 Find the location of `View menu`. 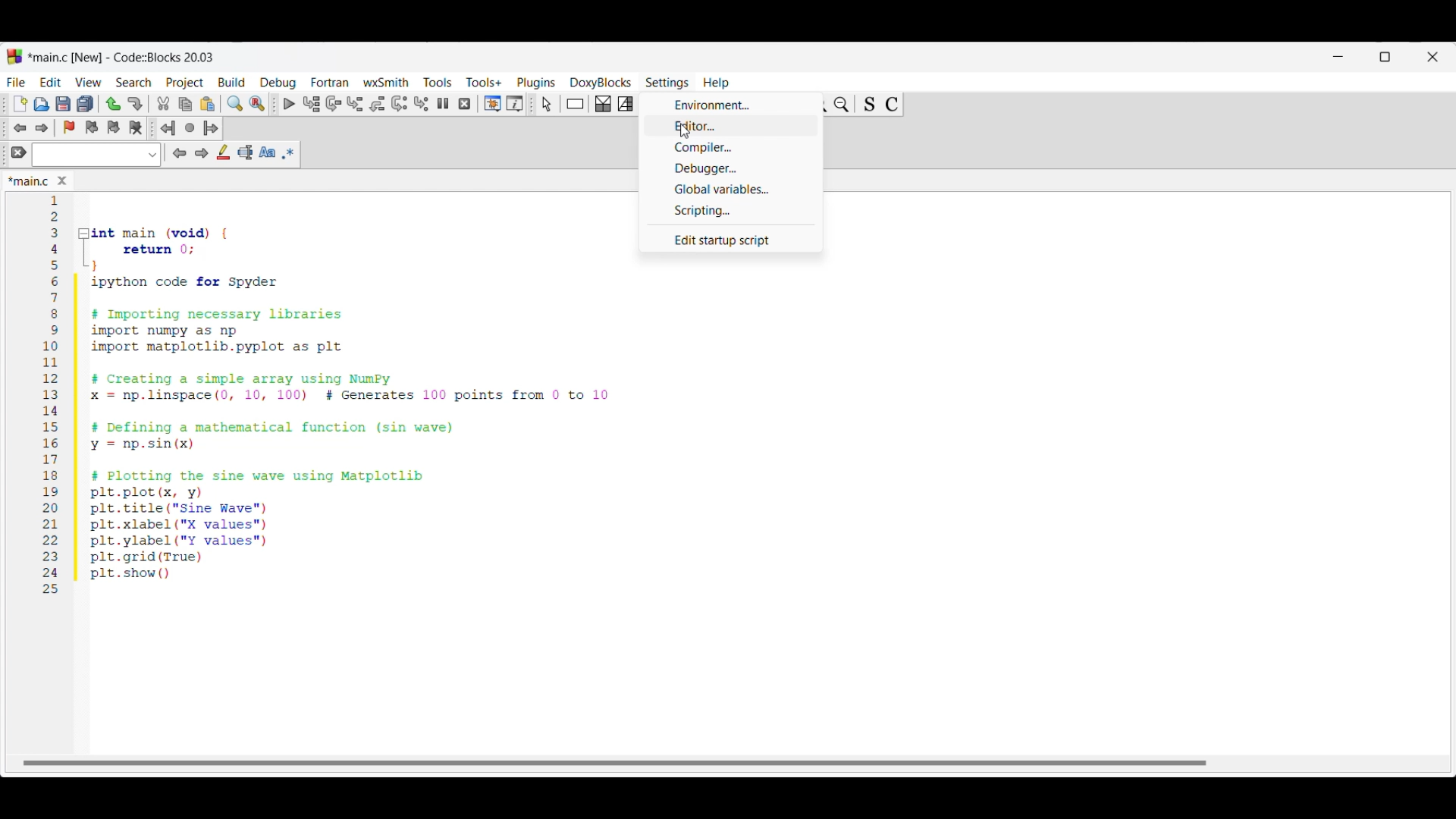

View menu is located at coordinates (88, 83).